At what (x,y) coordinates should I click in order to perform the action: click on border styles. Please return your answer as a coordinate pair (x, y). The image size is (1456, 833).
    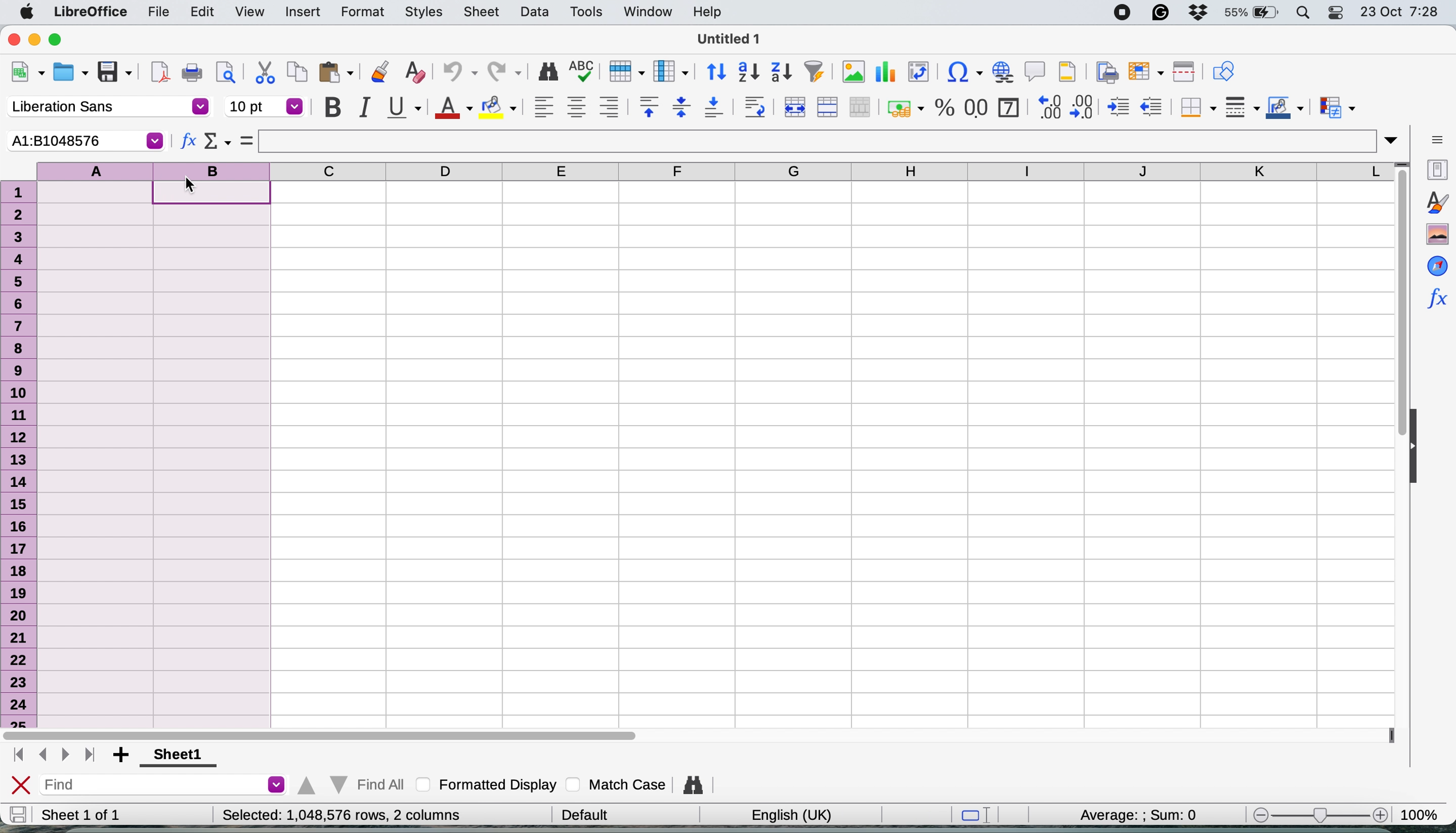
    Looking at the image, I should click on (1240, 108).